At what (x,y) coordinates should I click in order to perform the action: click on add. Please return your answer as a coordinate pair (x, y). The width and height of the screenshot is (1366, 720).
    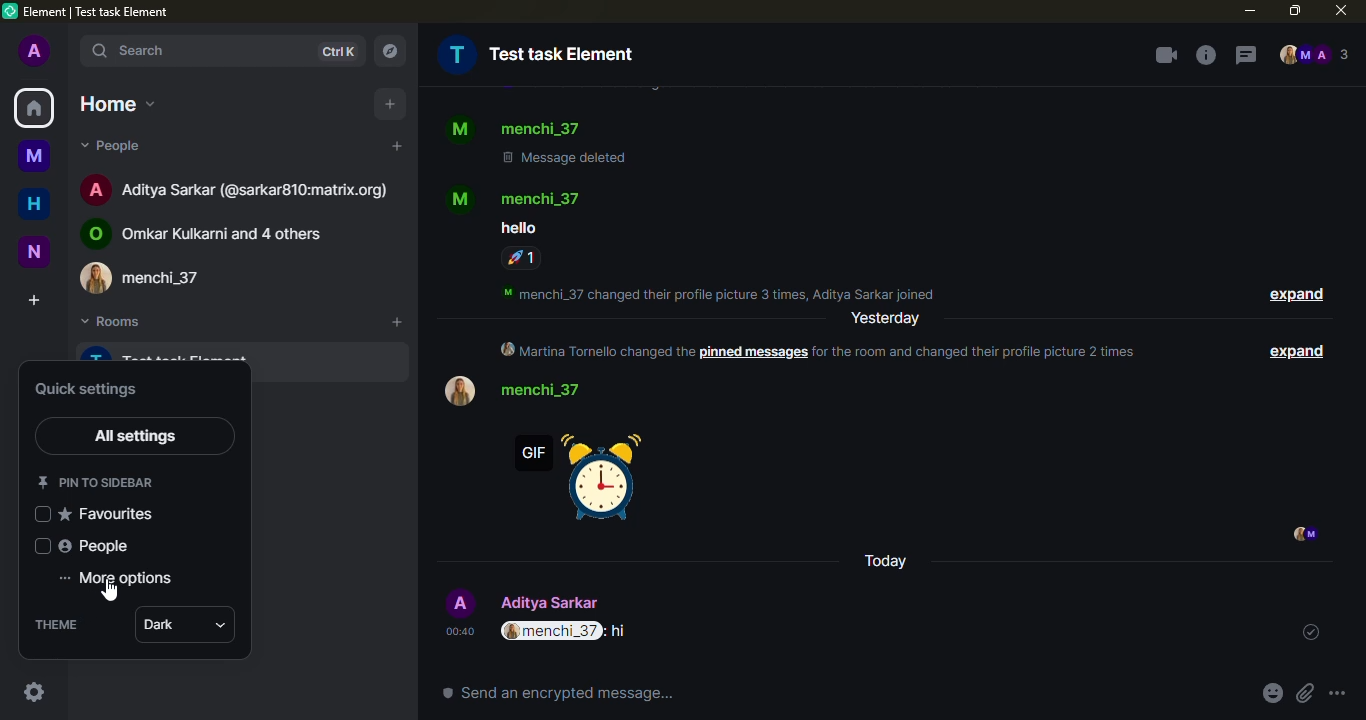
    Looking at the image, I should click on (391, 105).